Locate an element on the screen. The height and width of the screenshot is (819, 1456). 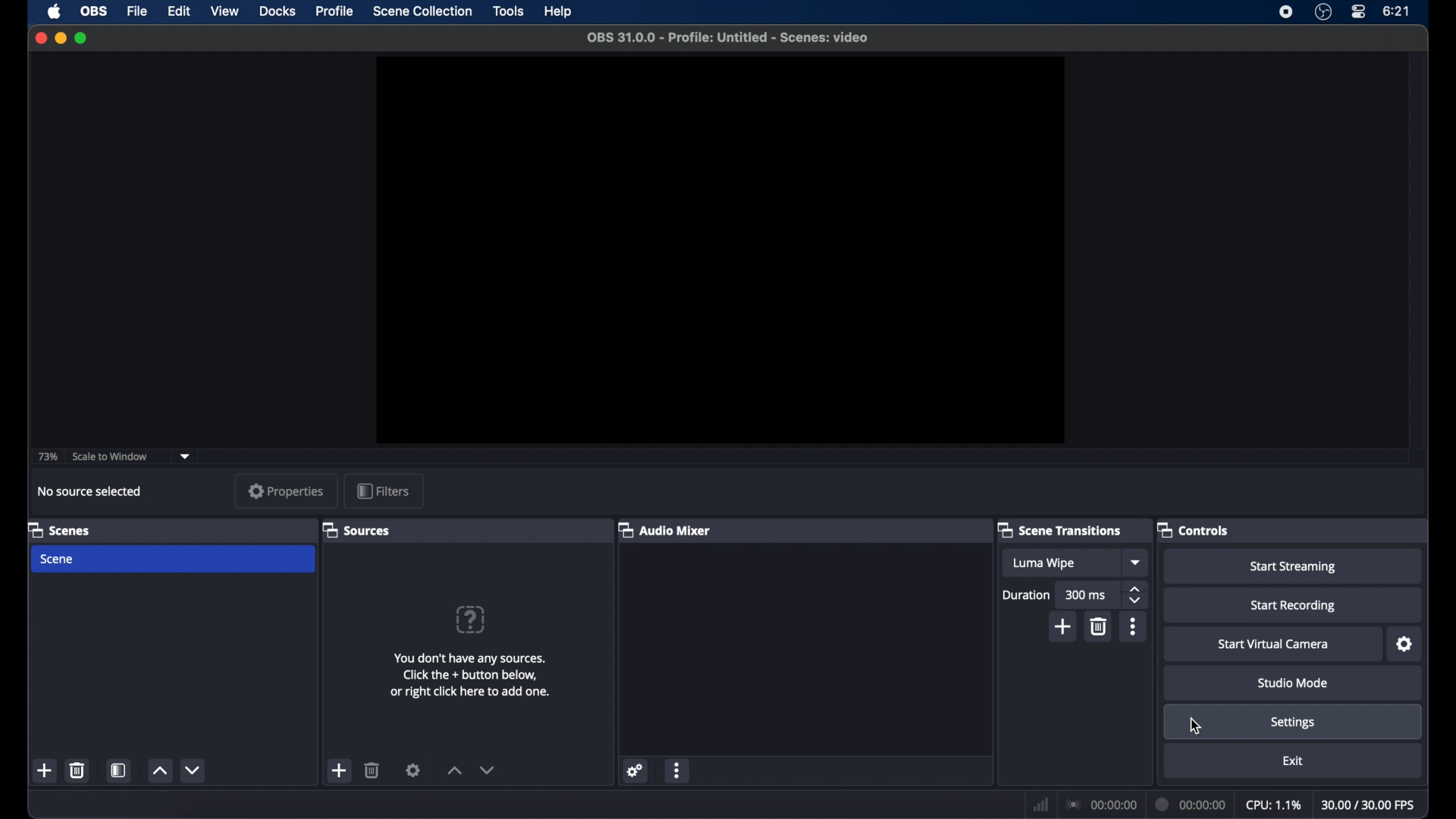
filters is located at coordinates (384, 491).